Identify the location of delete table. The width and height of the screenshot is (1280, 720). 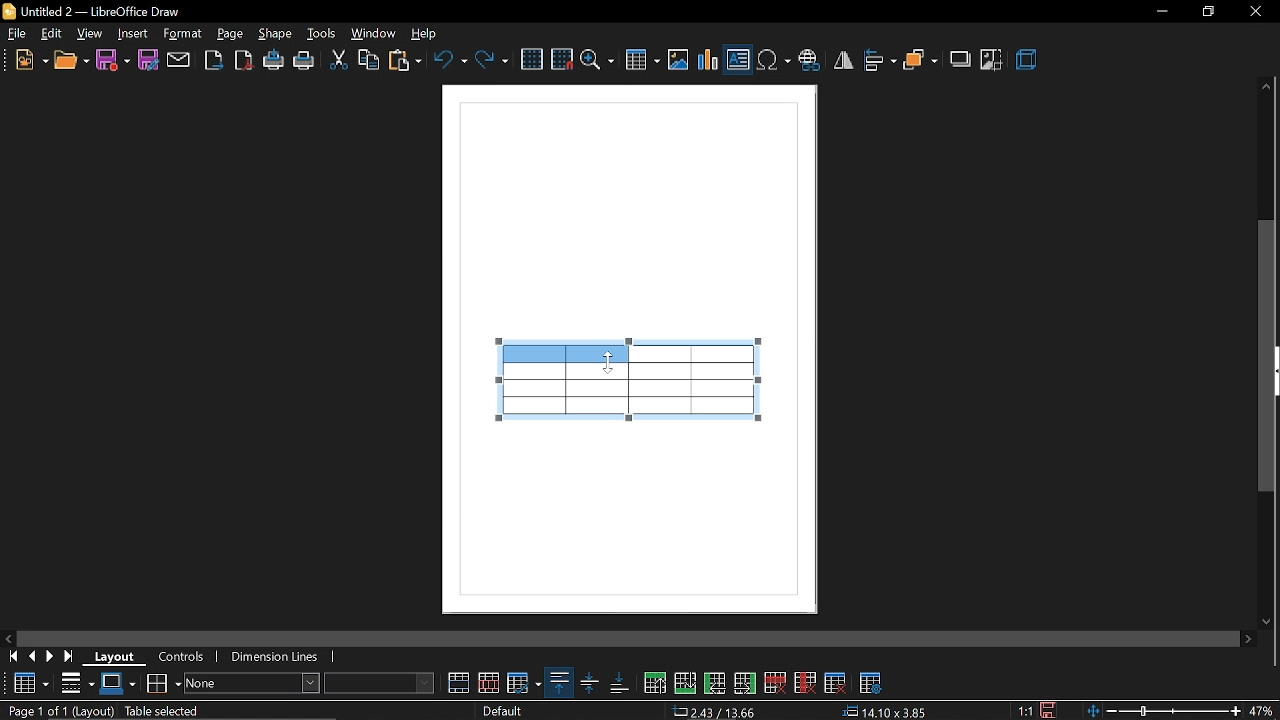
(834, 682).